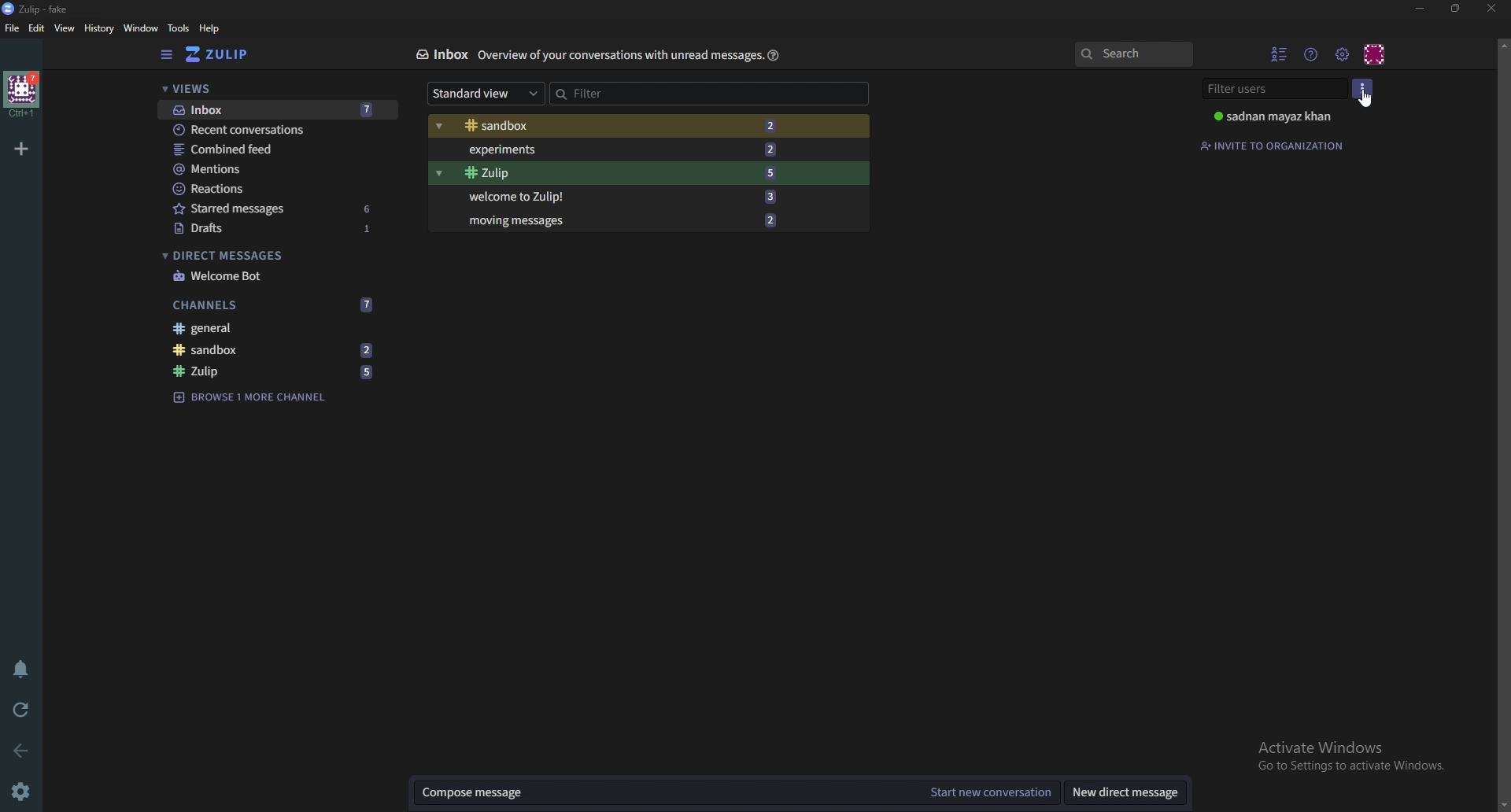 This screenshot has height=812, width=1511. Describe the element at coordinates (249, 398) in the screenshot. I see `browse channel` at that location.